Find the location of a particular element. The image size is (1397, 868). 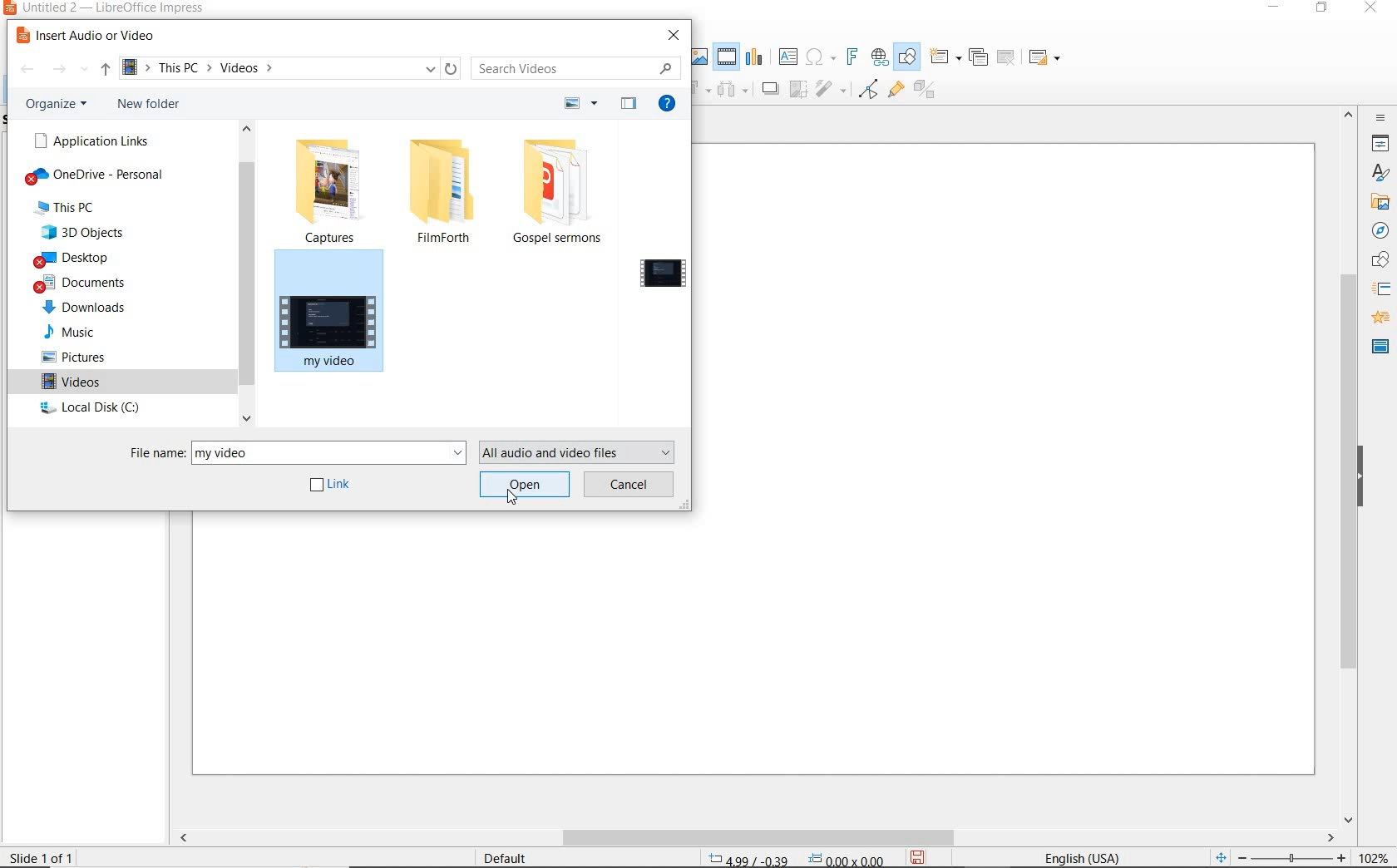

TEXT LANGUAGE is located at coordinates (1087, 855).